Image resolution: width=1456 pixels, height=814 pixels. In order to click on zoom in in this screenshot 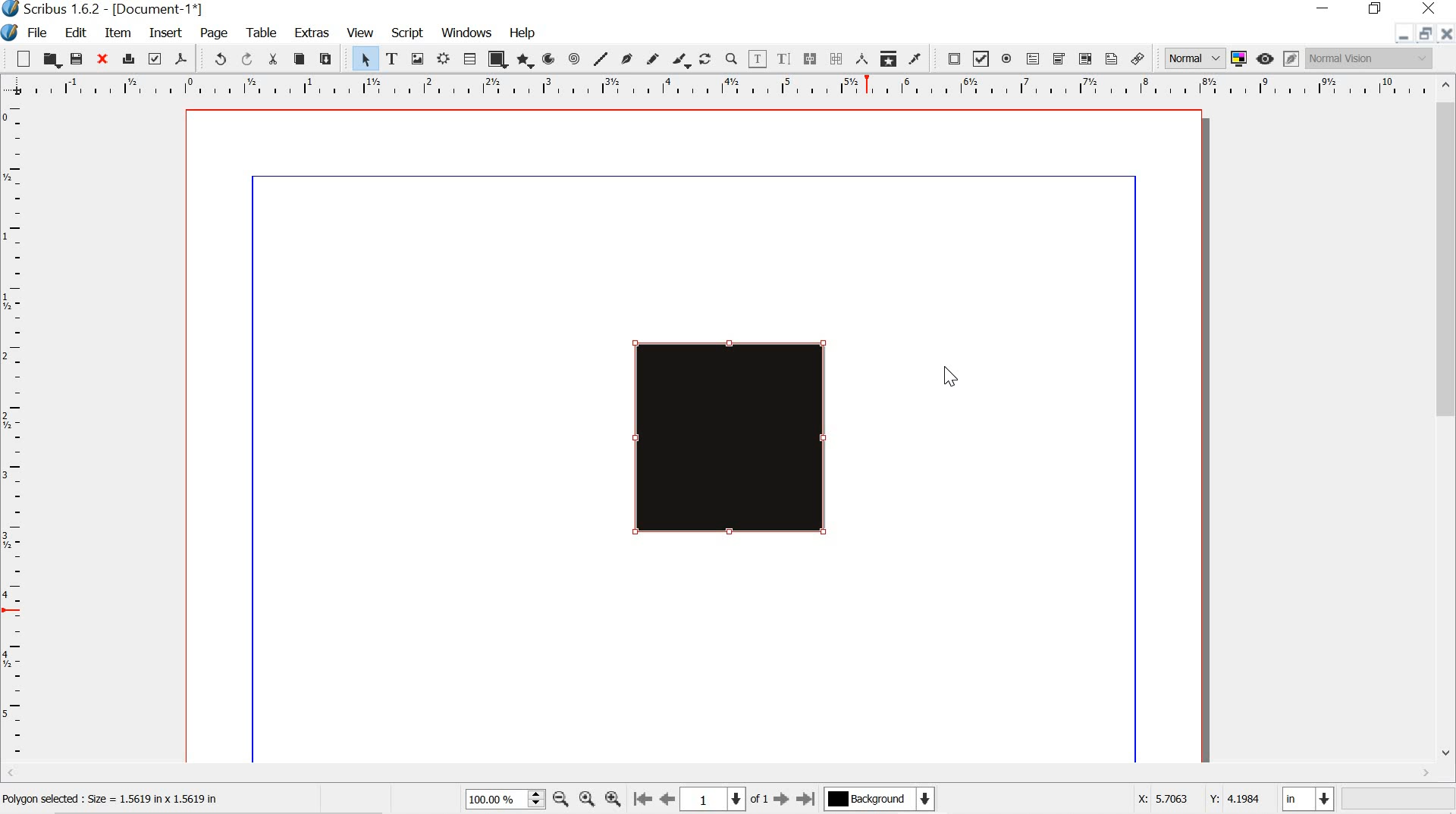, I will do `click(613, 800)`.